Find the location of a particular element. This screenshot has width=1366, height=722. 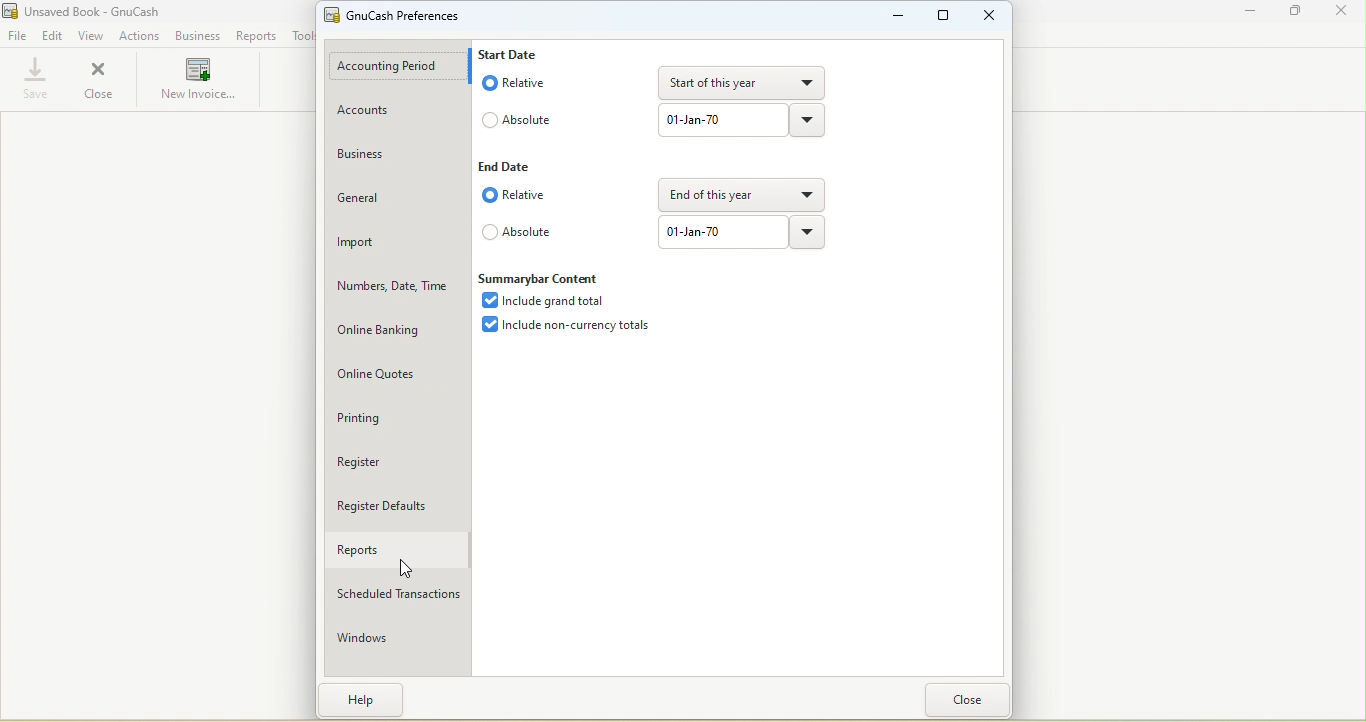

Numbers, date, time is located at coordinates (398, 290).